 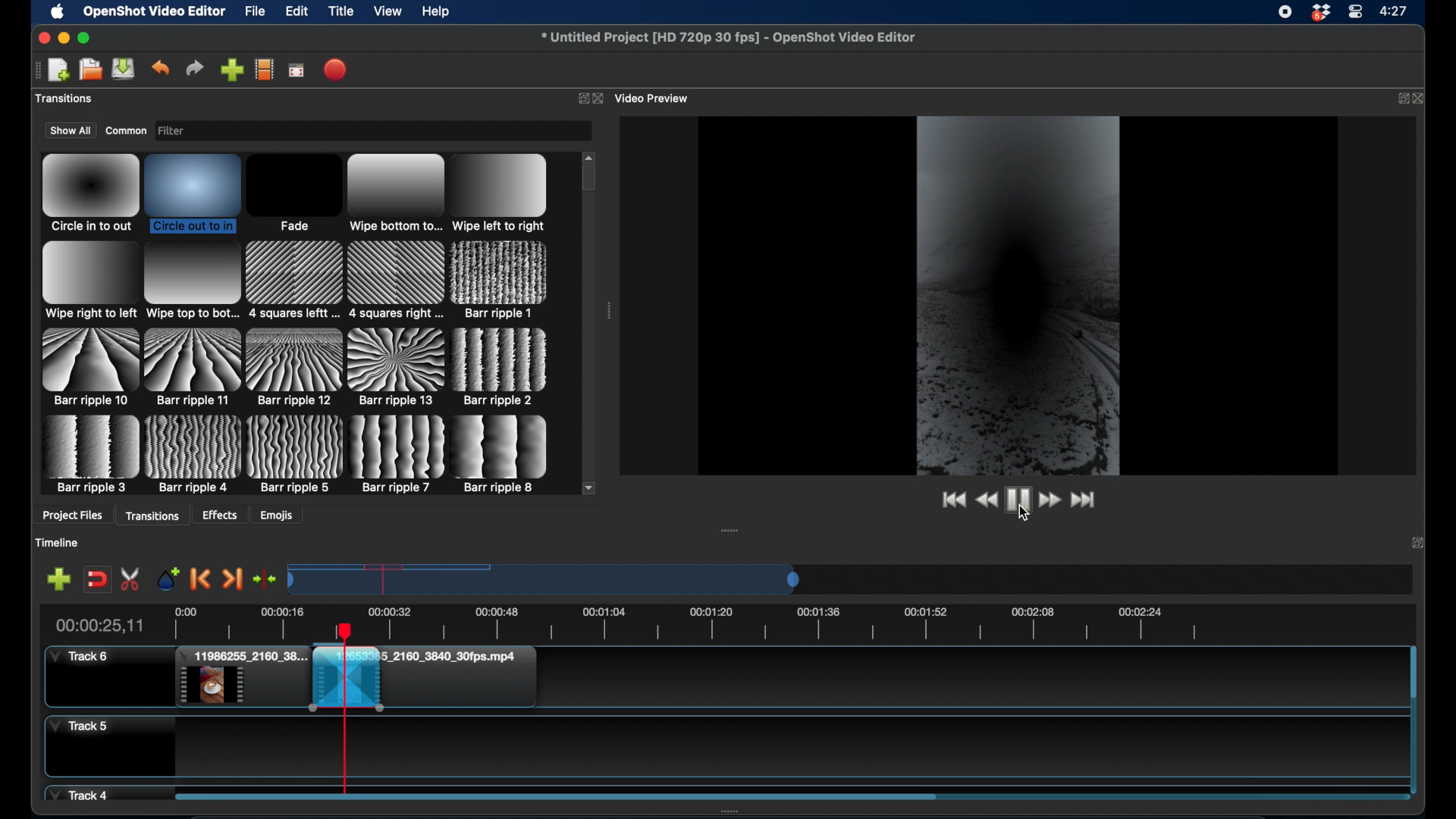 What do you see at coordinates (241, 678) in the screenshot?
I see `clip` at bounding box center [241, 678].